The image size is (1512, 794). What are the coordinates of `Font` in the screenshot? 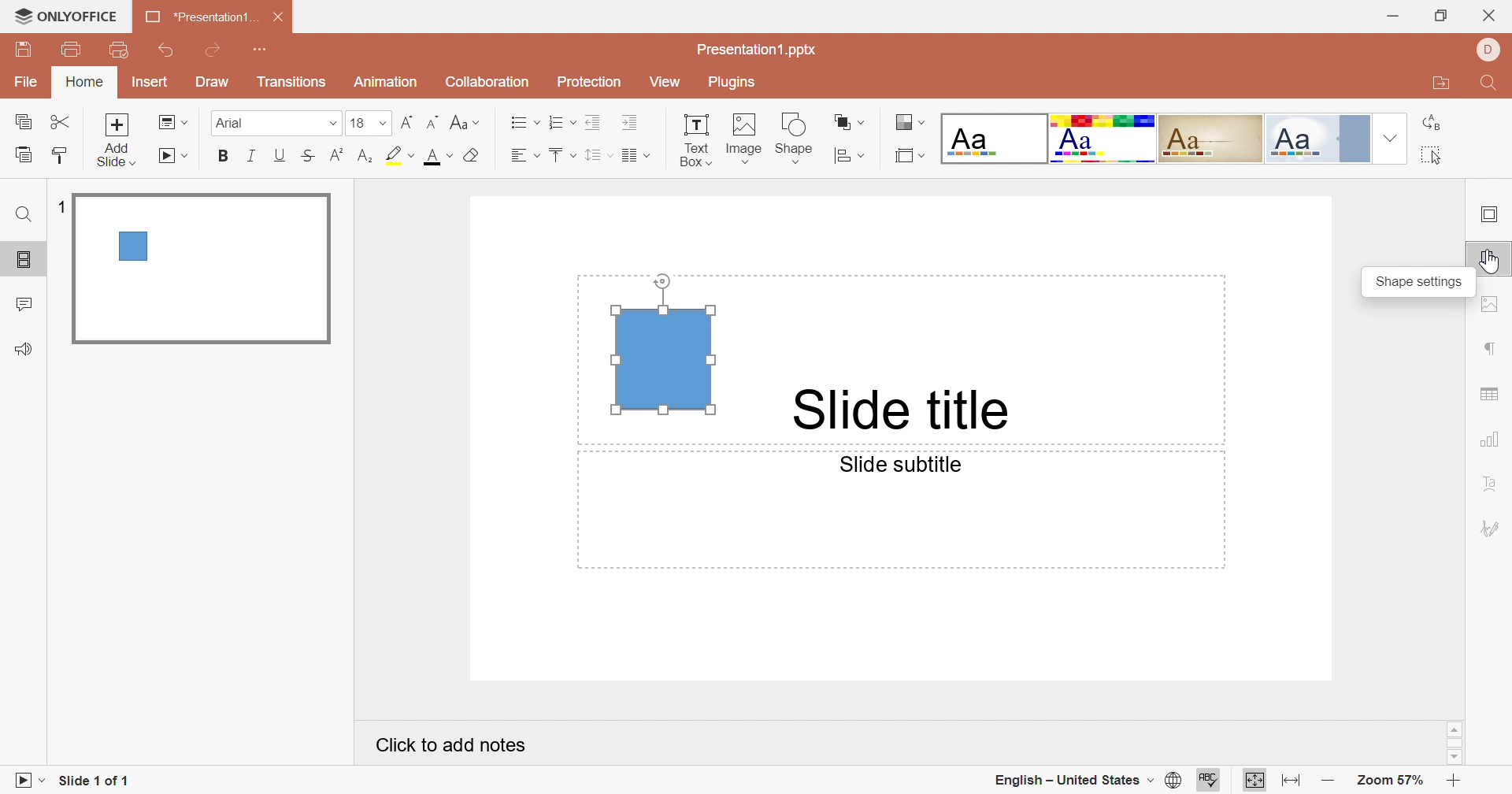 It's located at (276, 121).